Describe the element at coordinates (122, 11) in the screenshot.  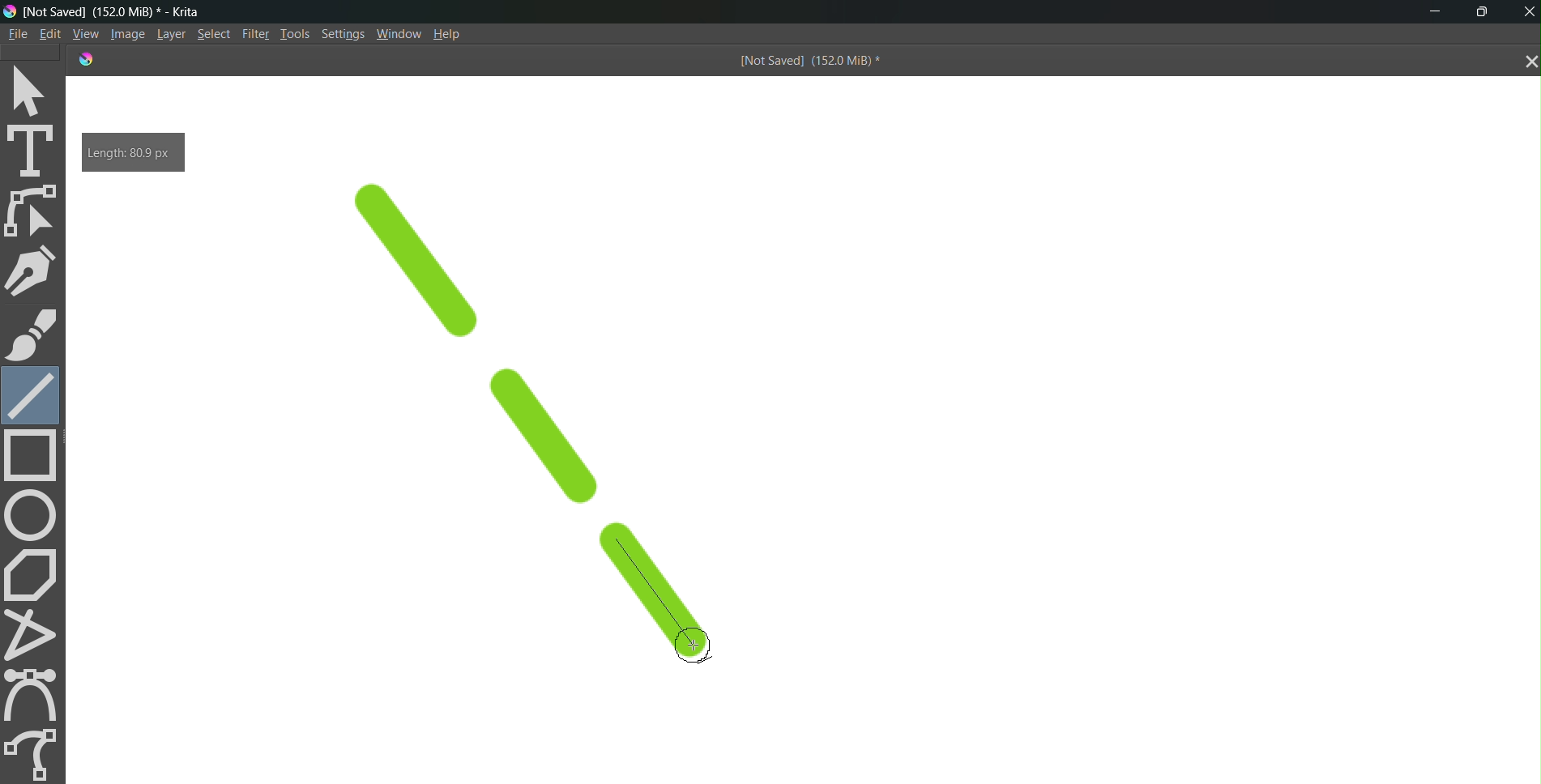
I see `[Not Saved] (151.9 MiB) * - Krita` at that location.